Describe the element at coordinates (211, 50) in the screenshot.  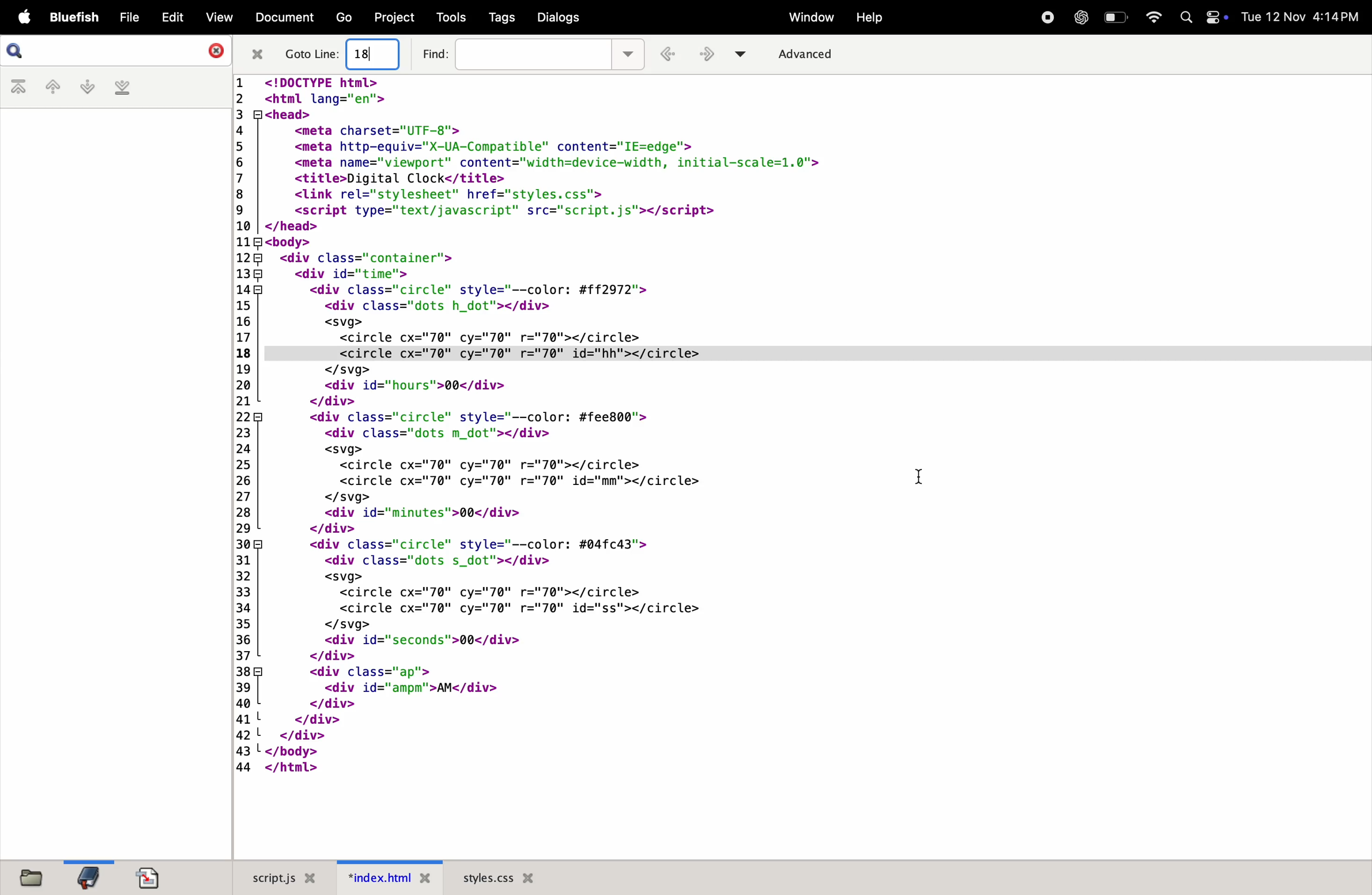
I see `close` at that location.